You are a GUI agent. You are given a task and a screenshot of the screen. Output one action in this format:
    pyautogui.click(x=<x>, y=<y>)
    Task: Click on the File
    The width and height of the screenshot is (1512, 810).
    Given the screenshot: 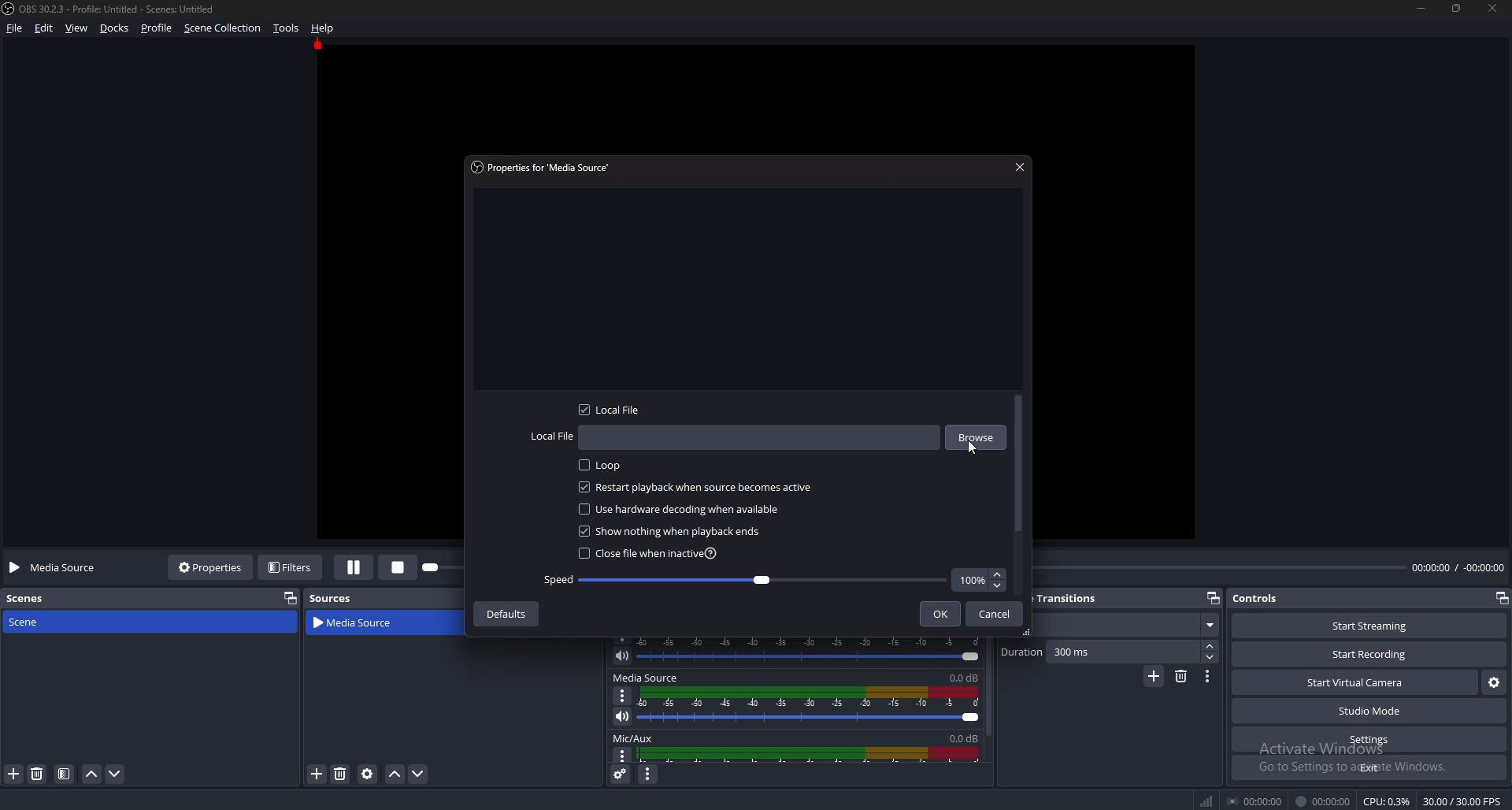 What is the action you would take?
    pyautogui.click(x=17, y=28)
    